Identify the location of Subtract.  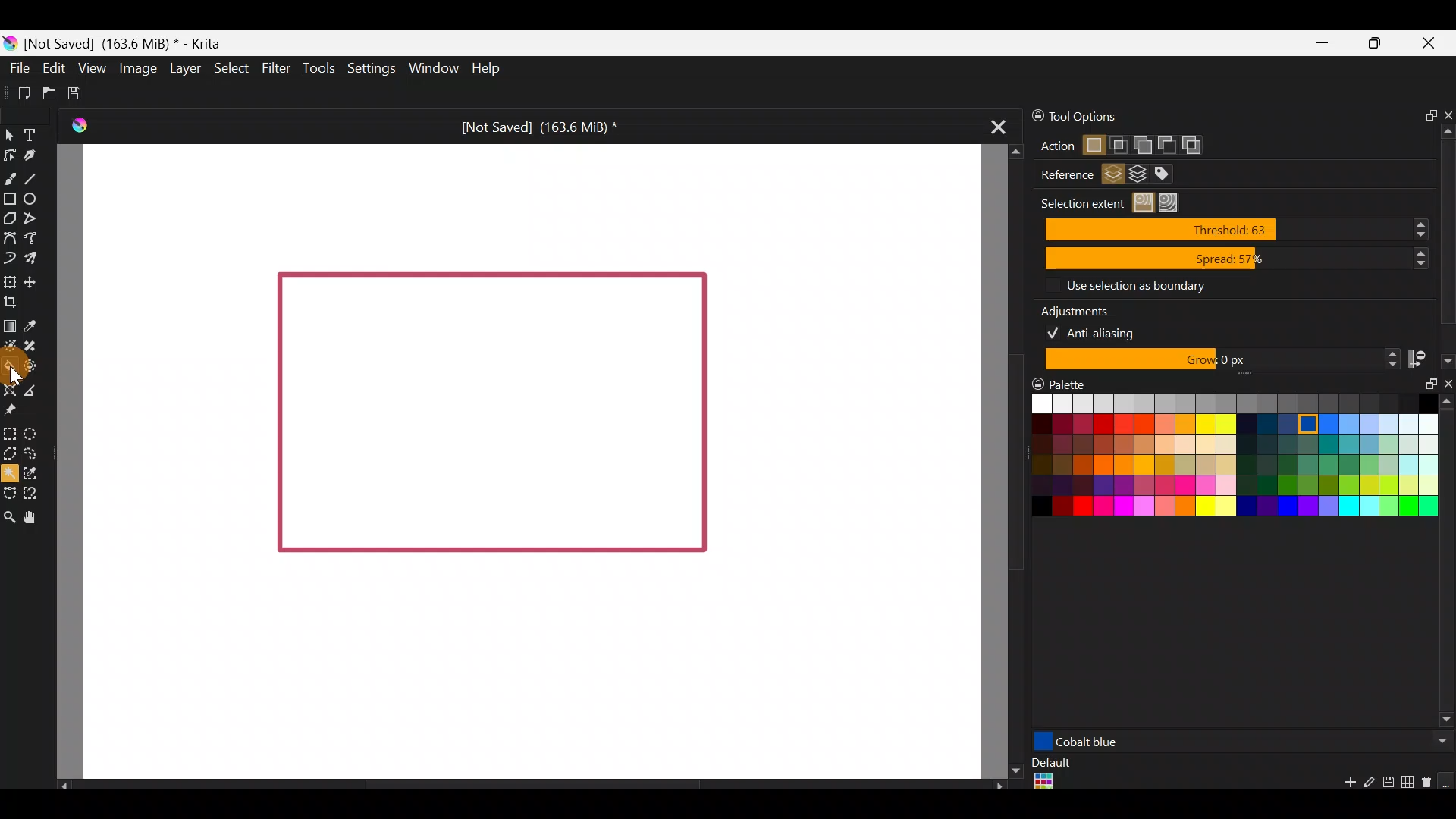
(1166, 143).